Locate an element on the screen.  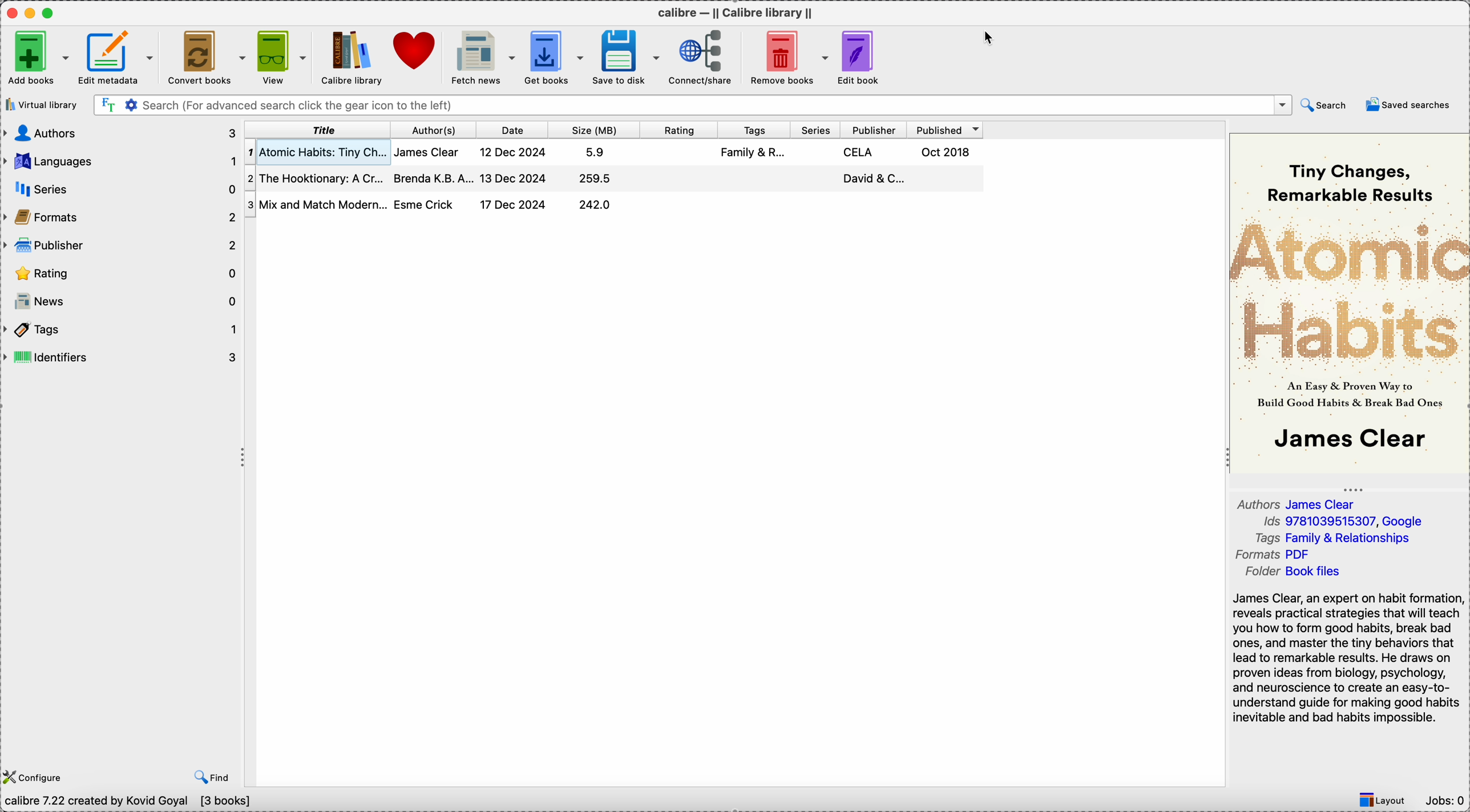
13 Dec 2024 is located at coordinates (516, 177).